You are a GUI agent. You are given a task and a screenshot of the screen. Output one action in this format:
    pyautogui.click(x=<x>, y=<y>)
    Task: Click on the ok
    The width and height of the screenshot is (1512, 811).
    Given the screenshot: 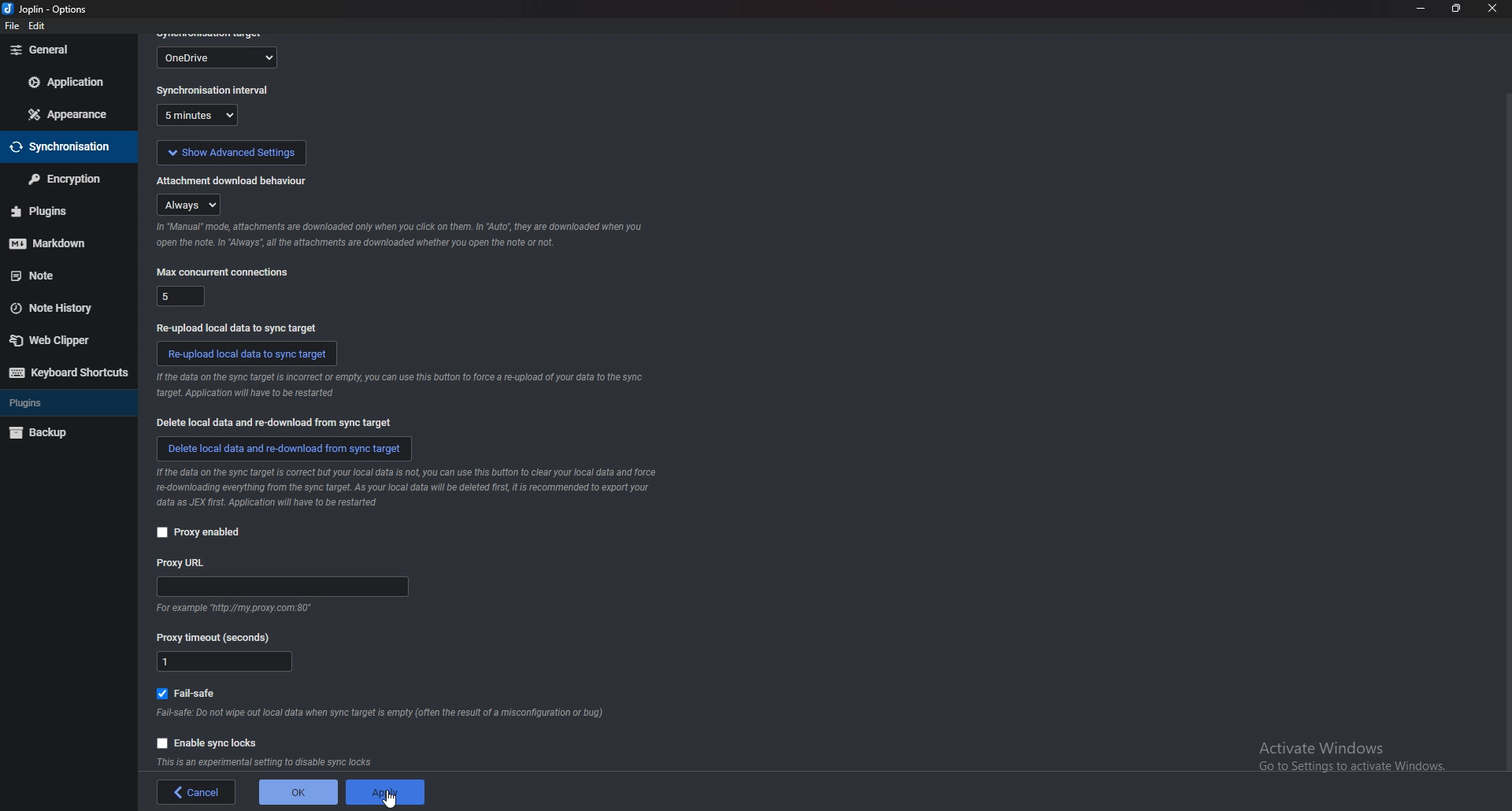 What is the action you would take?
    pyautogui.click(x=296, y=791)
    